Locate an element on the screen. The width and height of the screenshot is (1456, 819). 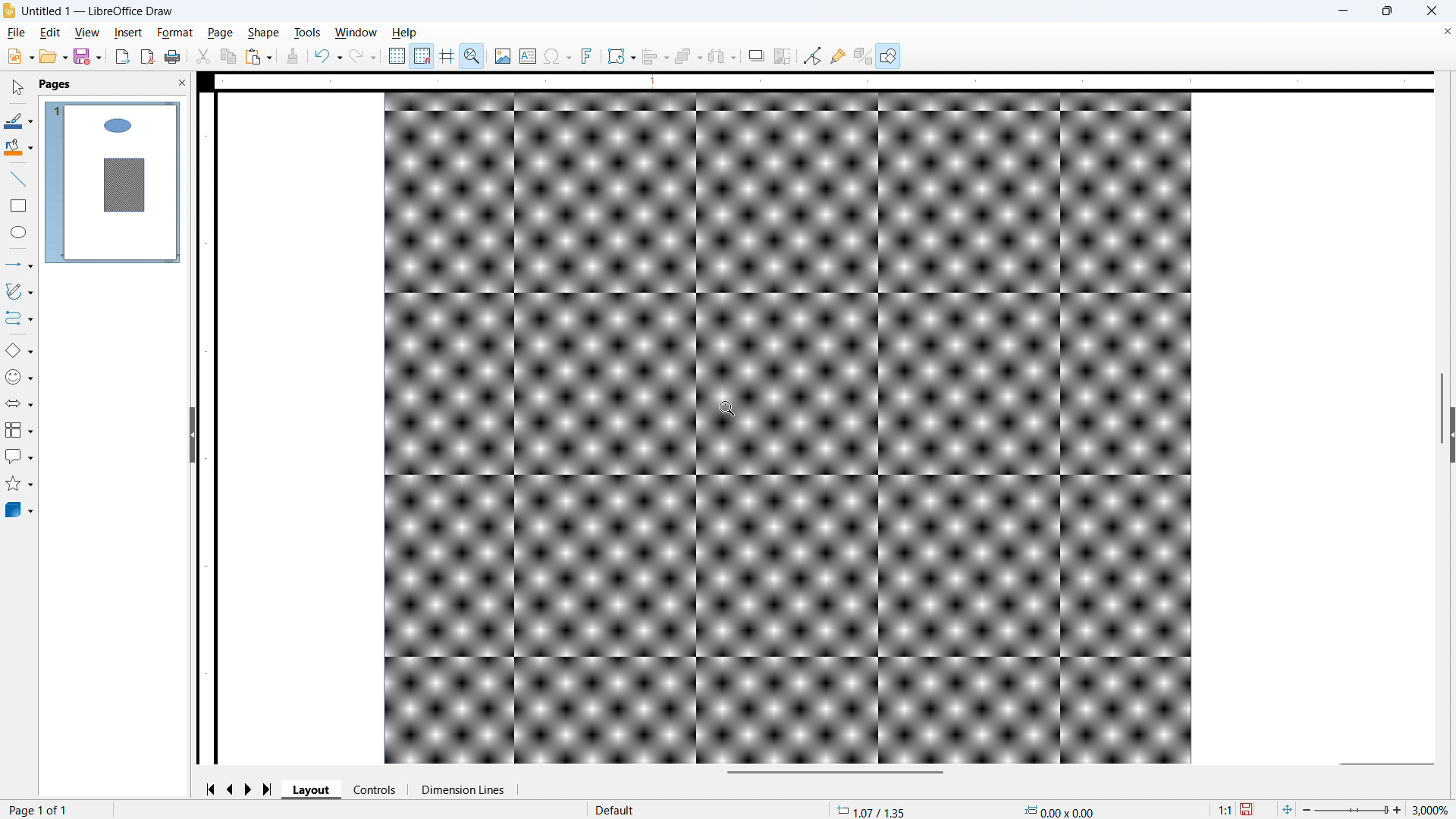
Background colour  is located at coordinates (18, 147).